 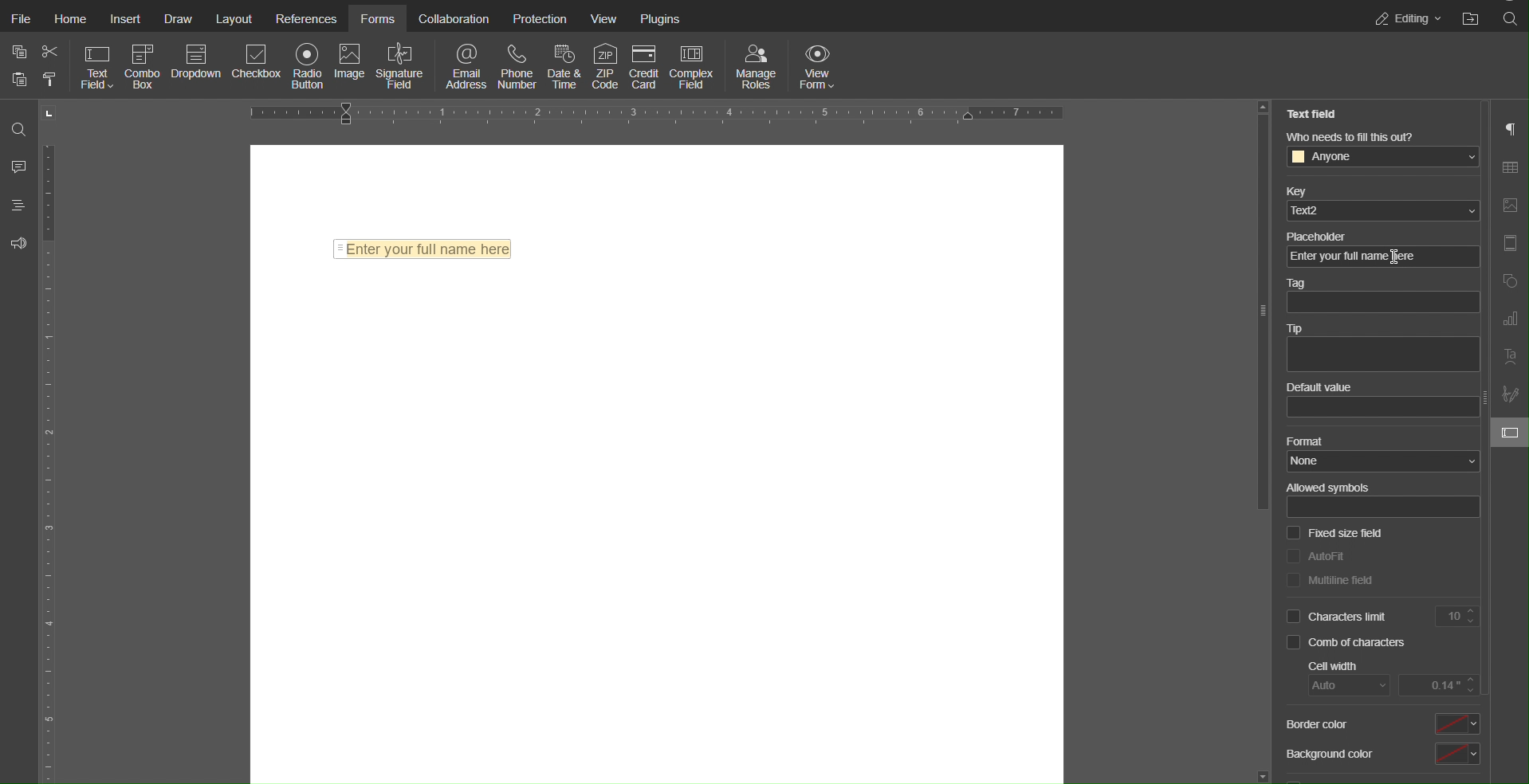 What do you see at coordinates (1508, 206) in the screenshot?
I see `Image Settings` at bounding box center [1508, 206].